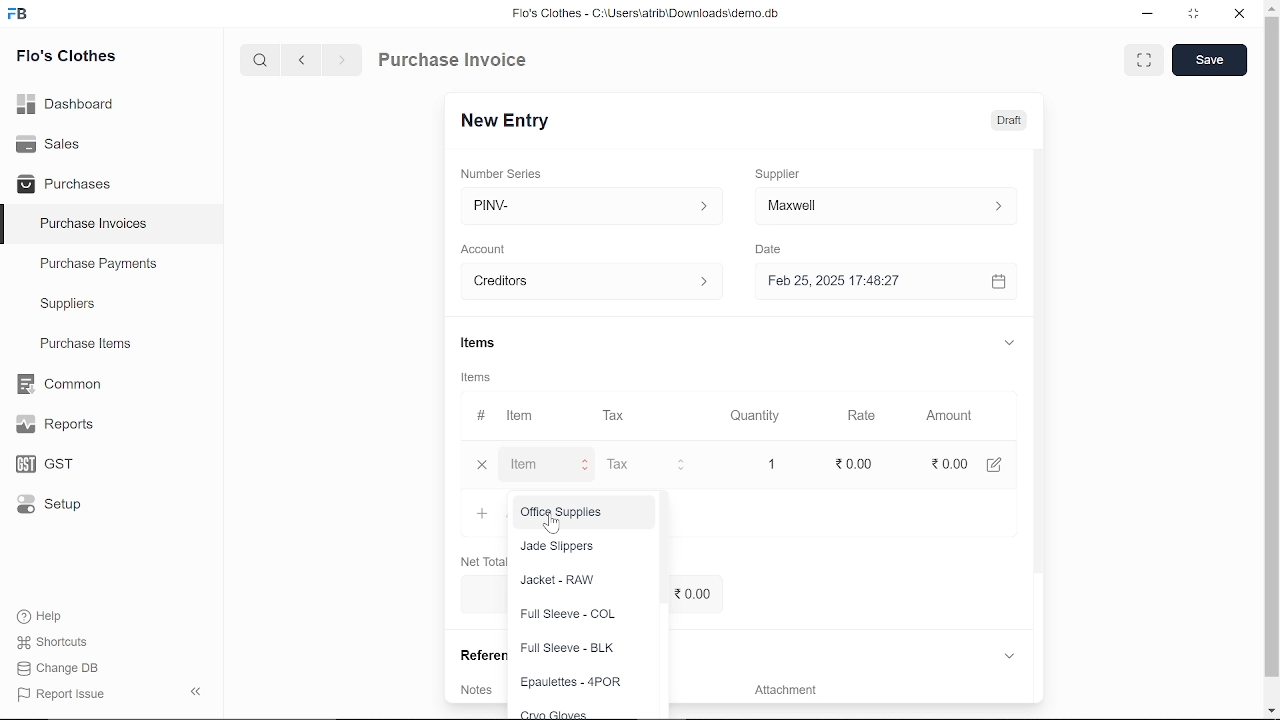 The width and height of the screenshot is (1280, 720). I want to click on Date, so click(782, 250).